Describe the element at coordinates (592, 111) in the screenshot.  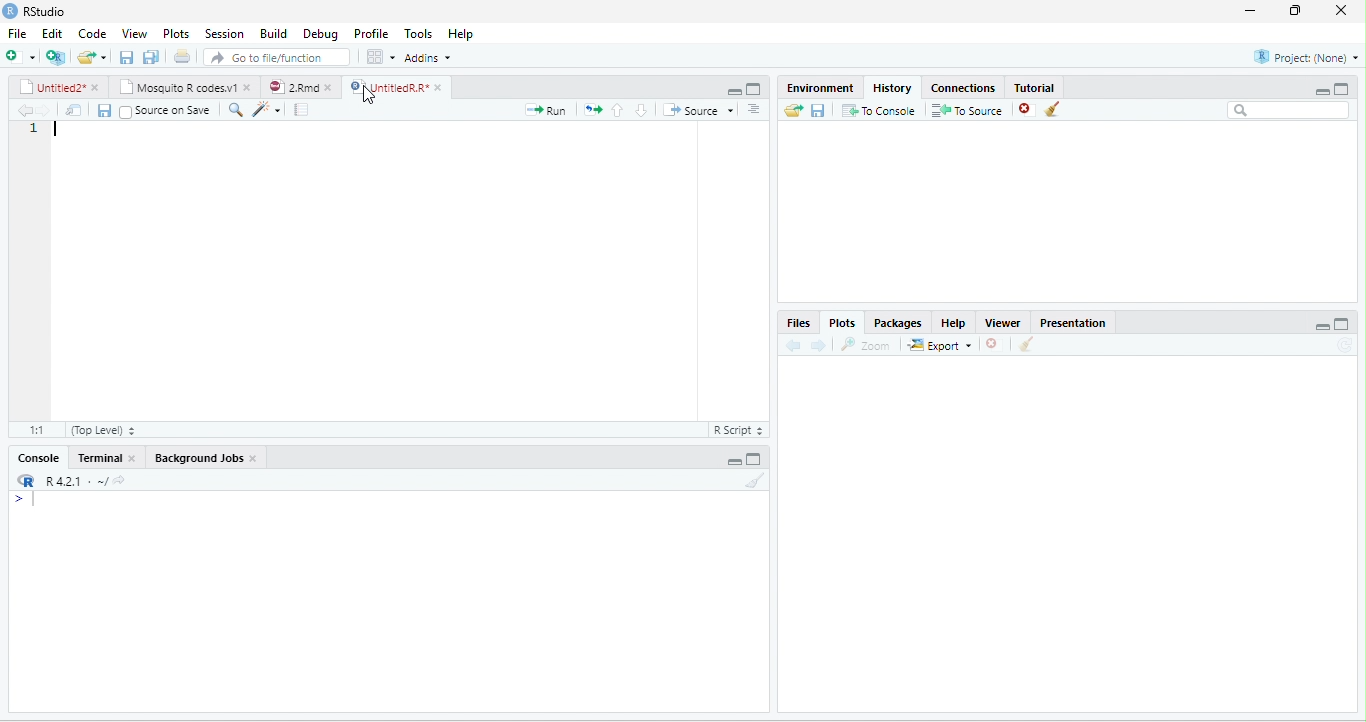
I see `arrows` at that location.